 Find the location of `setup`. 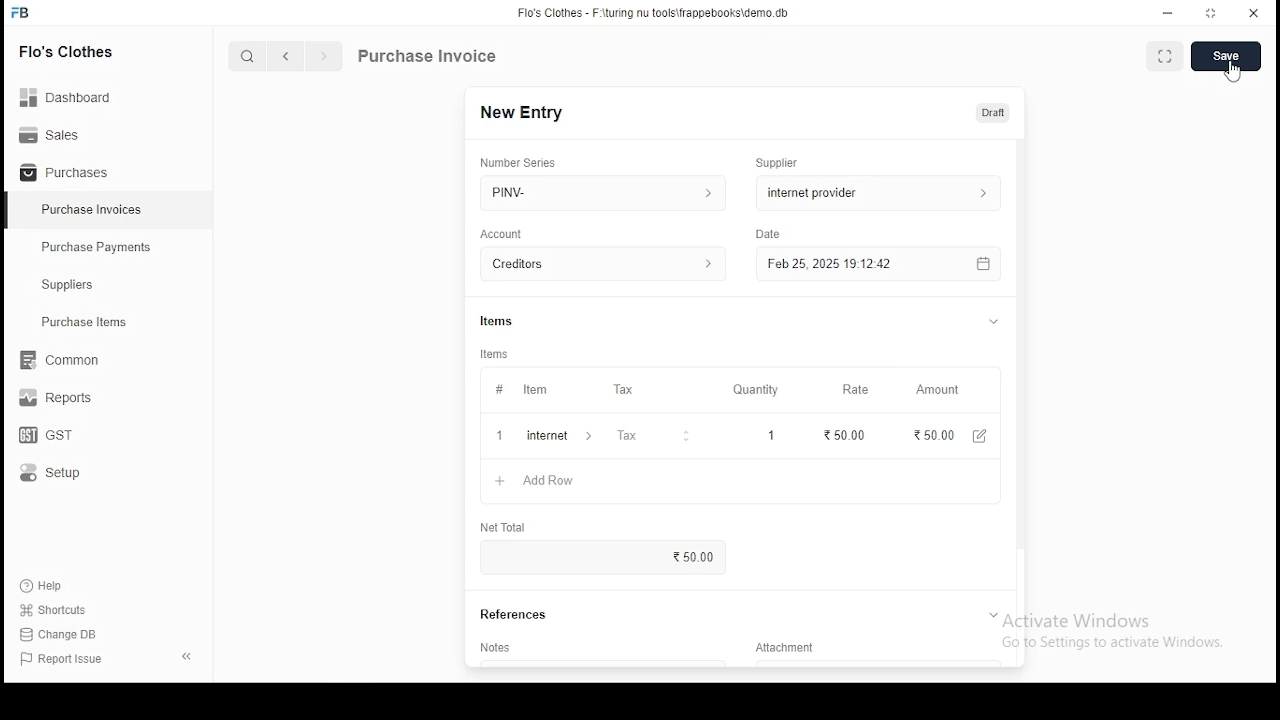

setup is located at coordinates (63, 474).